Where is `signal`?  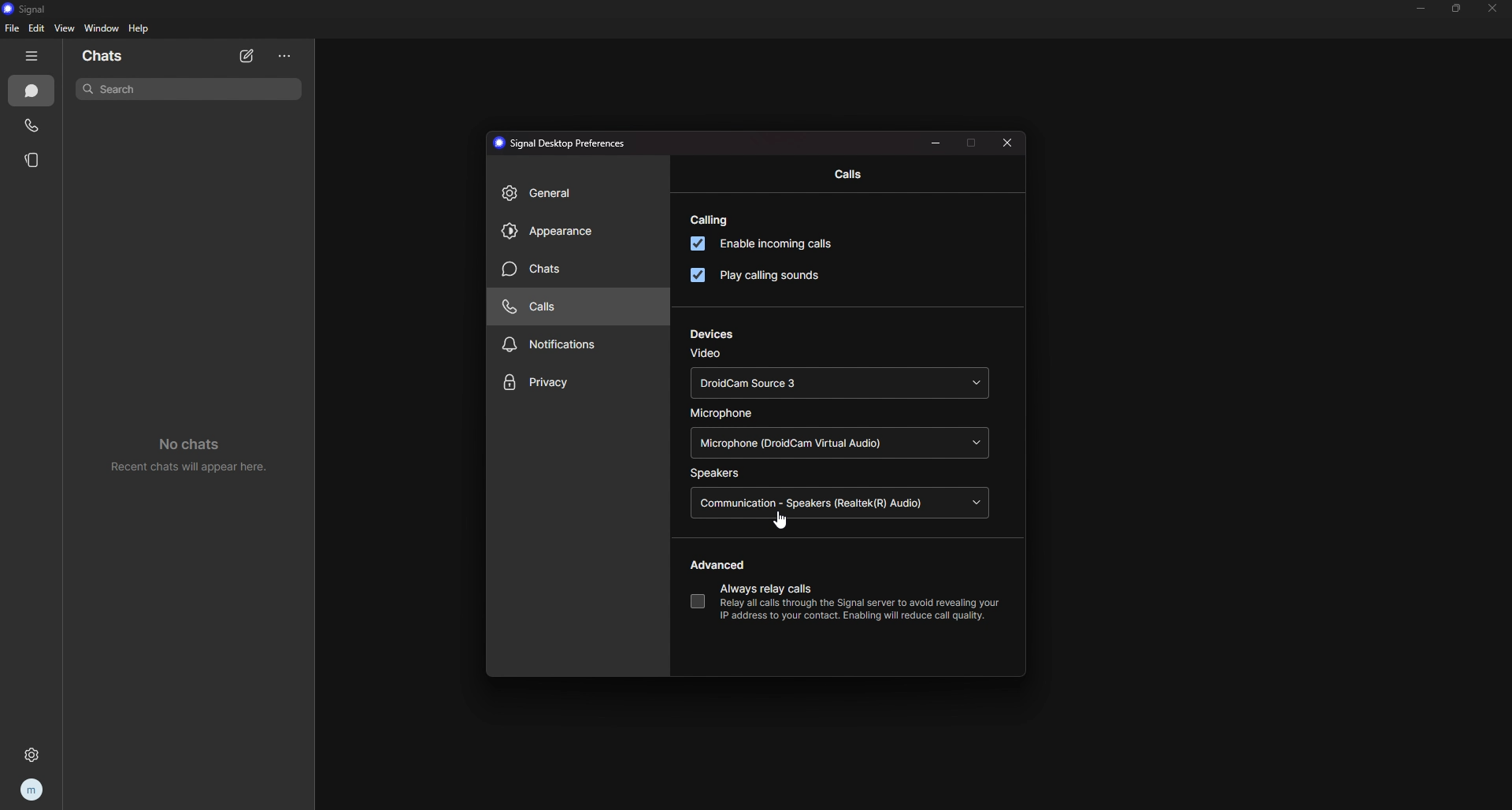 signal is located at coordinates (37, 8).